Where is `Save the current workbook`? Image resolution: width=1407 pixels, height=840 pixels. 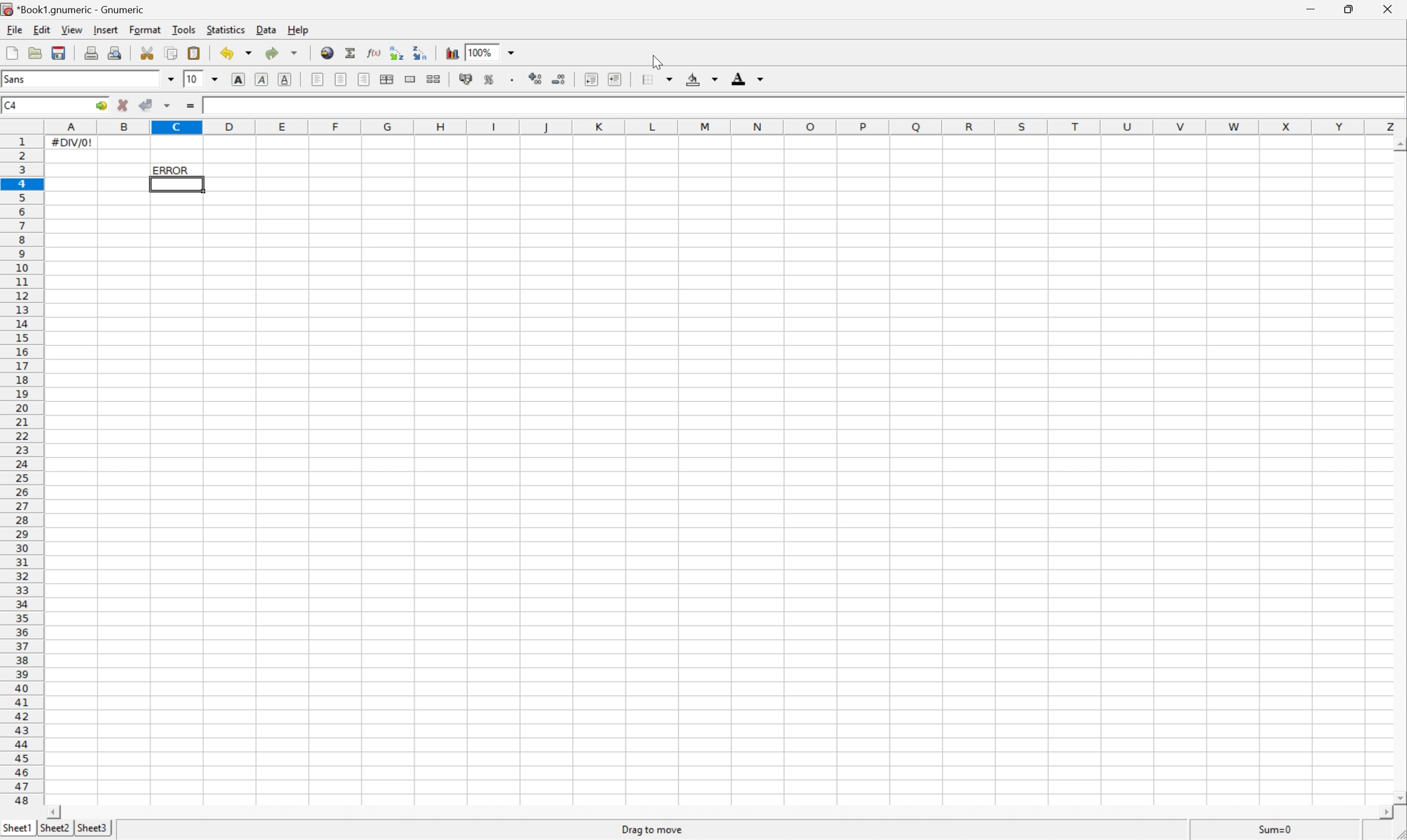
Save the current workbook is located at coordinates (60, 53).